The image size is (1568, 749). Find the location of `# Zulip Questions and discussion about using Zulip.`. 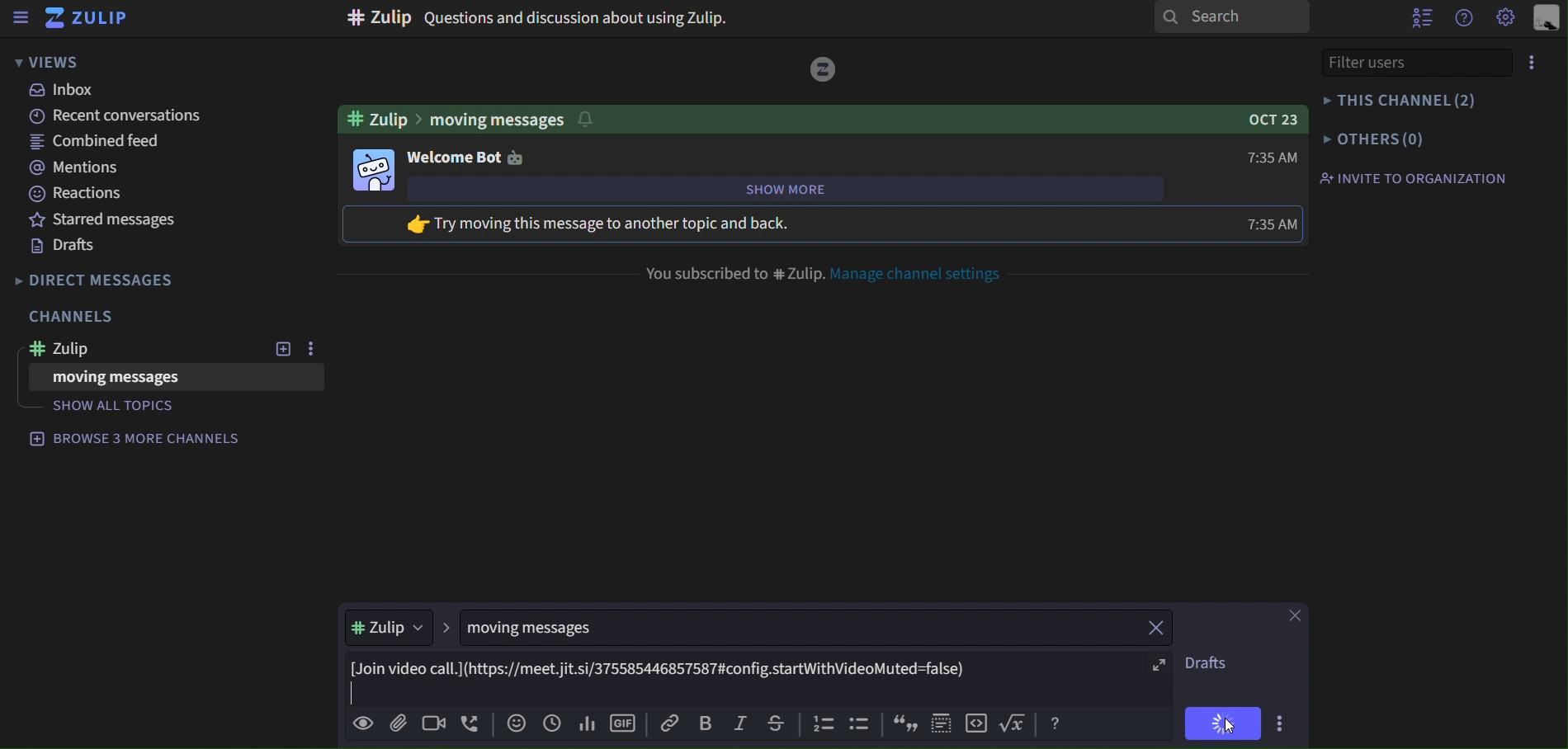

# Zulip Questions and discussion about using Zulip. is located at coordinates (534, 19).